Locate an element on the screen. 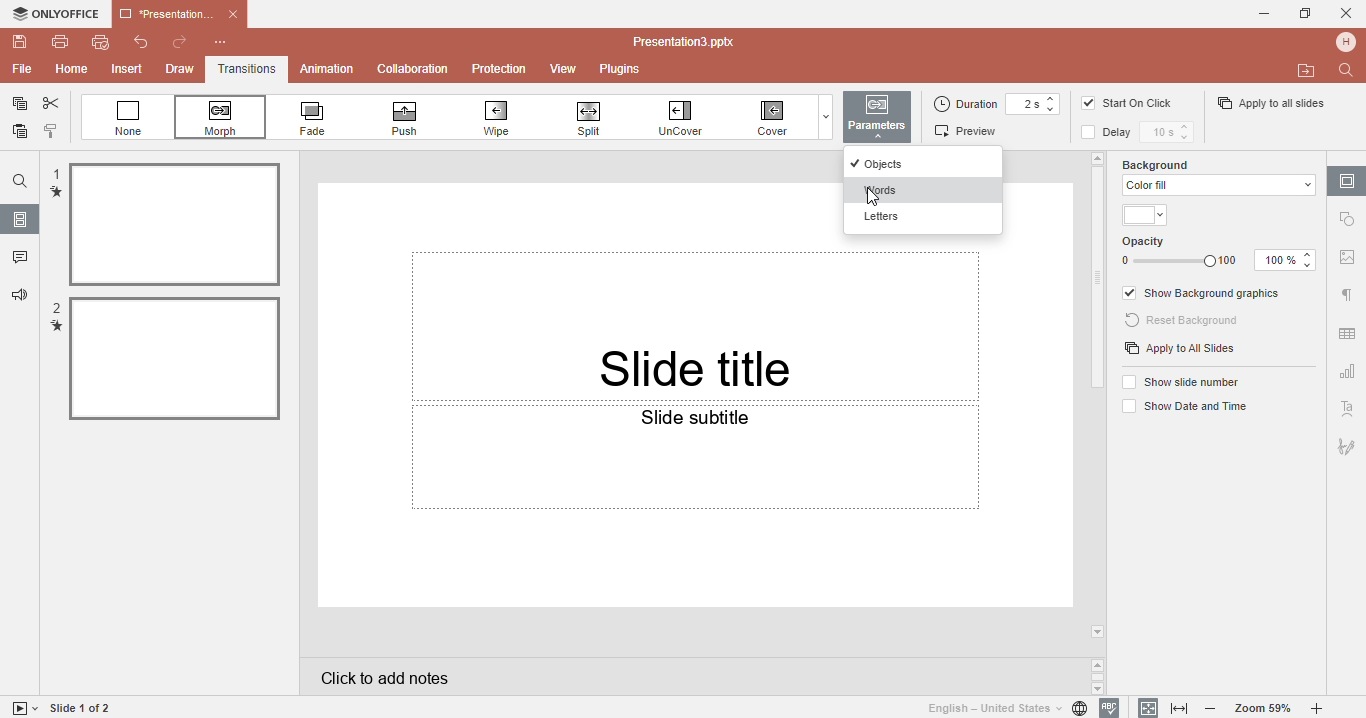 The width and height of the screenshot is (1366, 718). Table setting is located at coordinates (1348, 330).